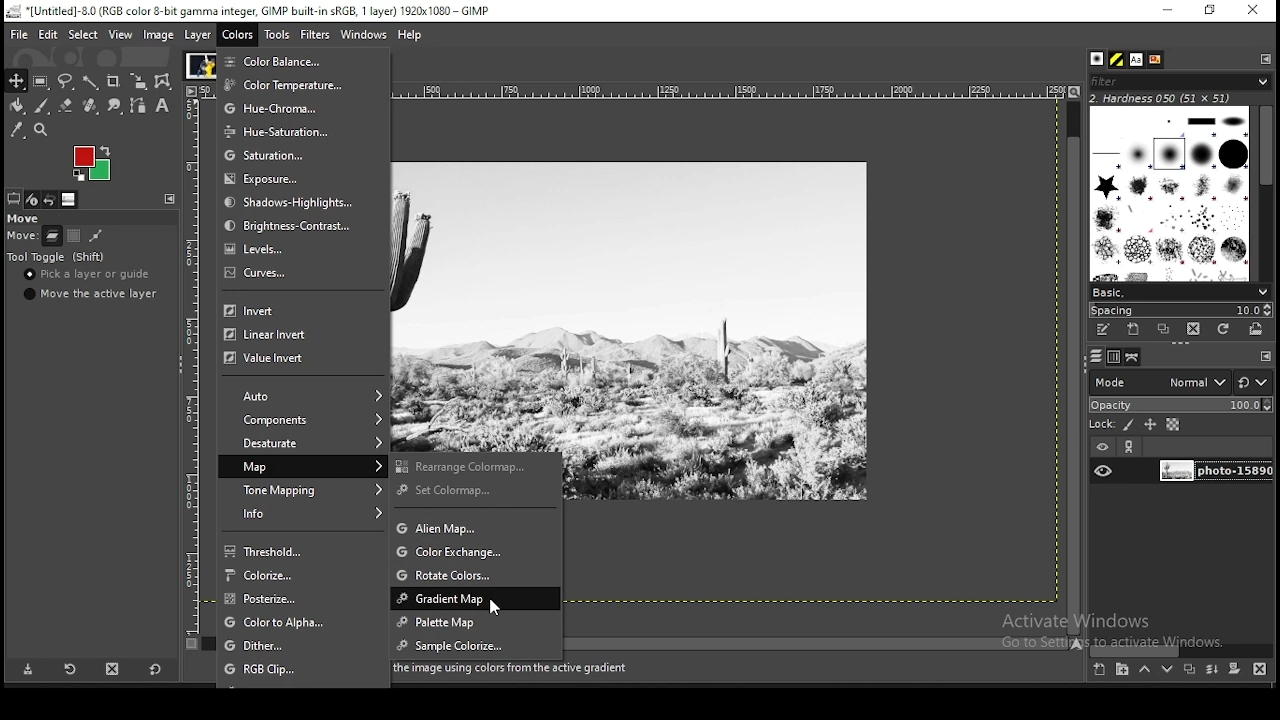 The width and height of the screenshot is (1280, 720). Describe the element at coordinates (22, 218) in the screenshot. I see `move` at that location.